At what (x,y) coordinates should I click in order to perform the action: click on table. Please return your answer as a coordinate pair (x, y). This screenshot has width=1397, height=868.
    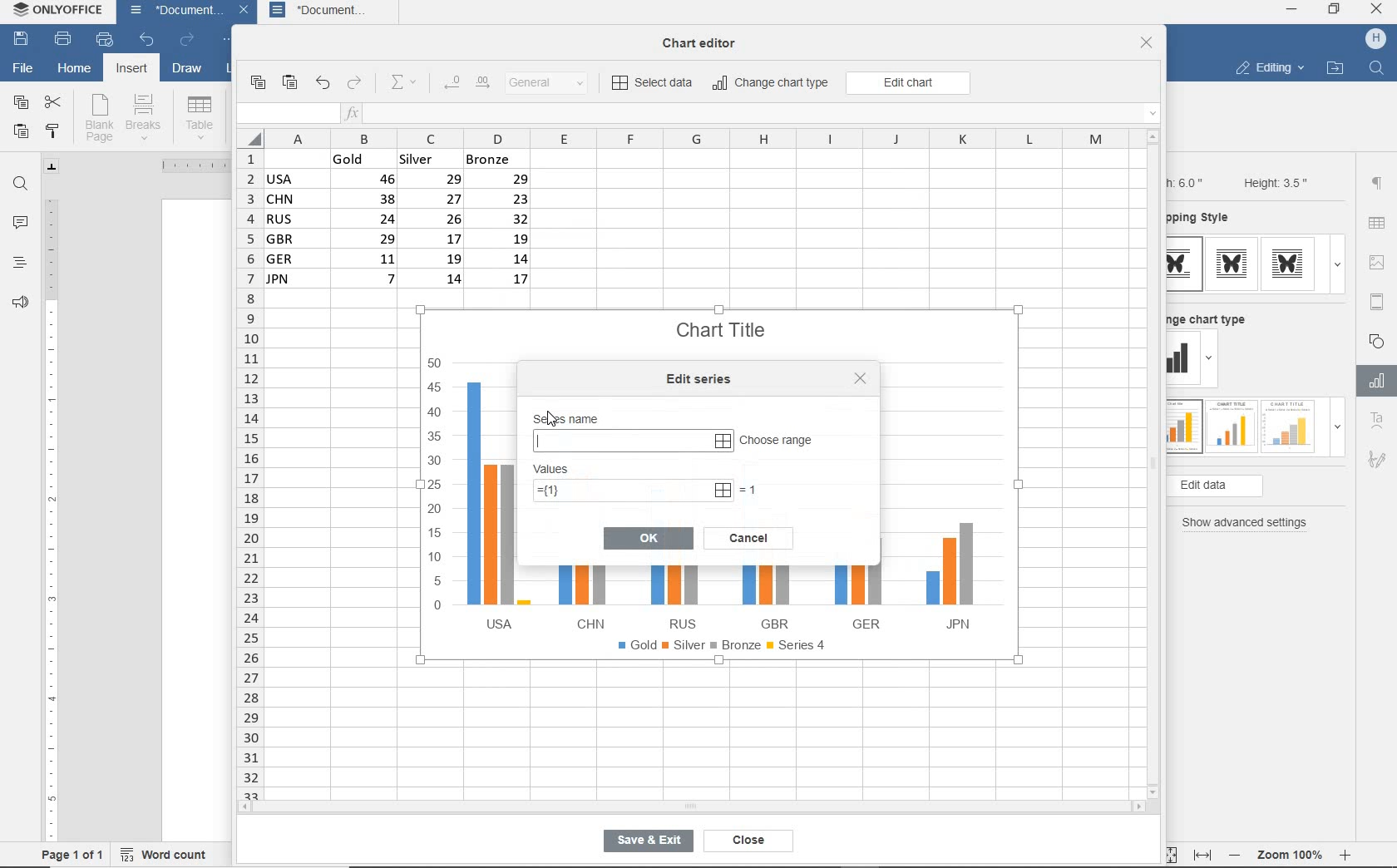
    Looking at the image, I should click on (1378, 224).